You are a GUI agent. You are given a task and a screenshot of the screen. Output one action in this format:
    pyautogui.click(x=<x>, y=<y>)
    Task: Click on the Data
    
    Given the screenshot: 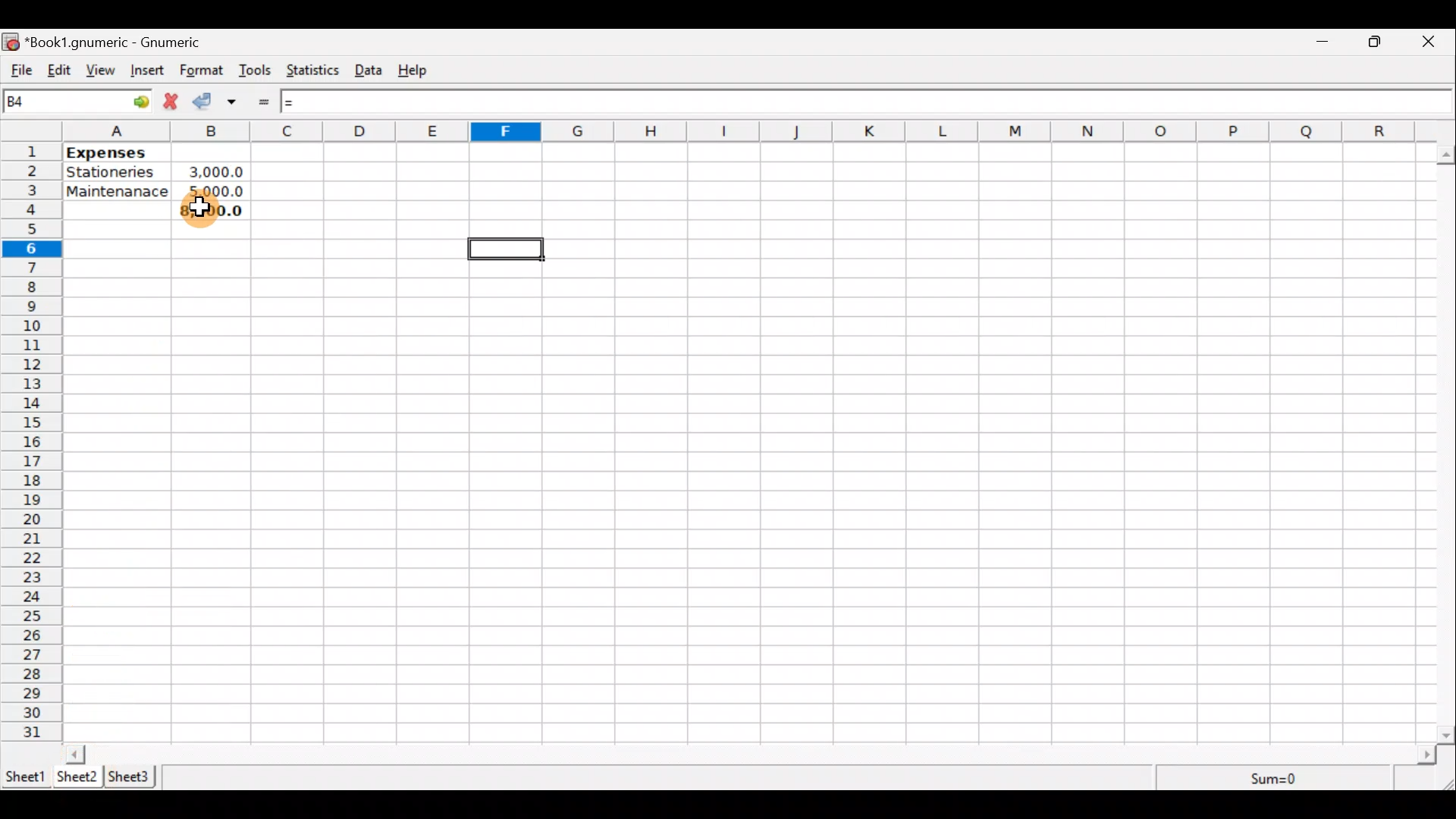 What is the action you would take?
    pyautogui.click(x=373, y=71)
    